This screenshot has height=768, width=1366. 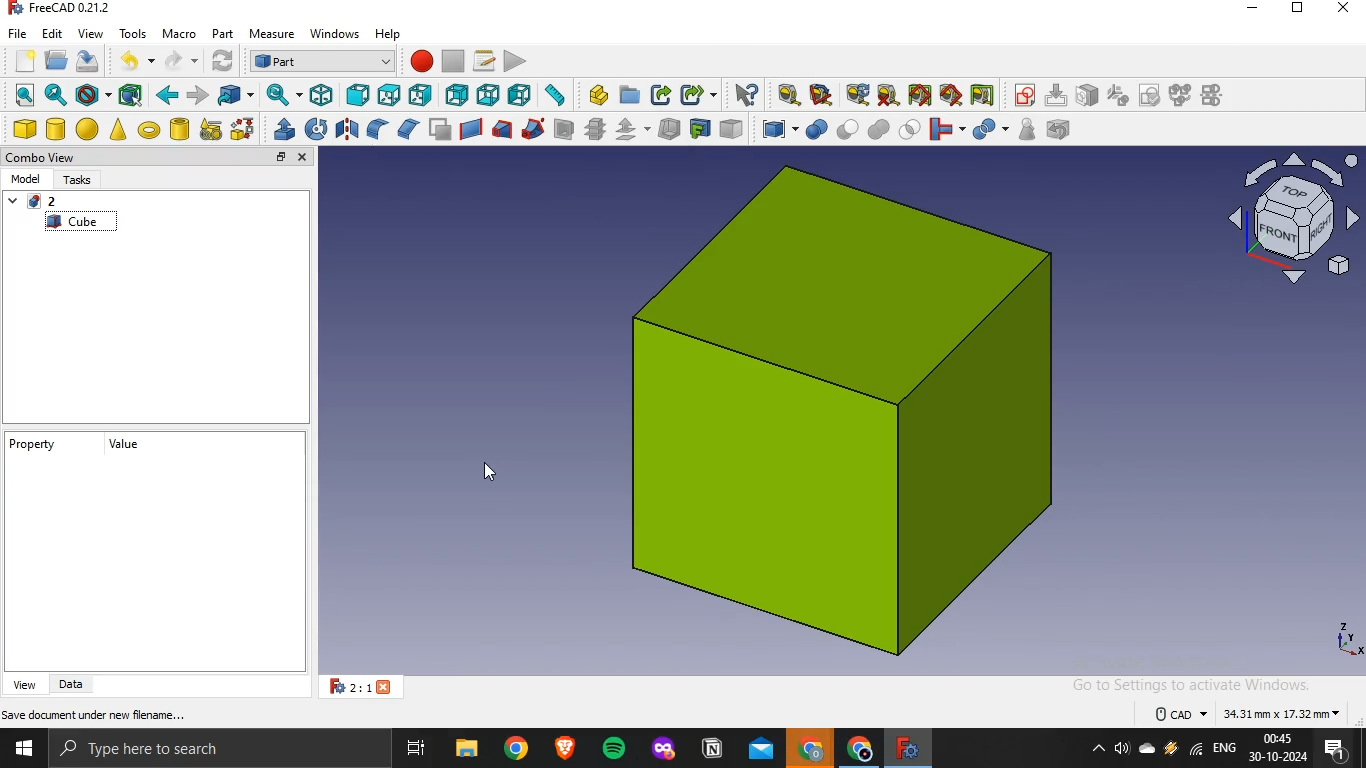 I want to click on cross section, so click(x=594, y=128).